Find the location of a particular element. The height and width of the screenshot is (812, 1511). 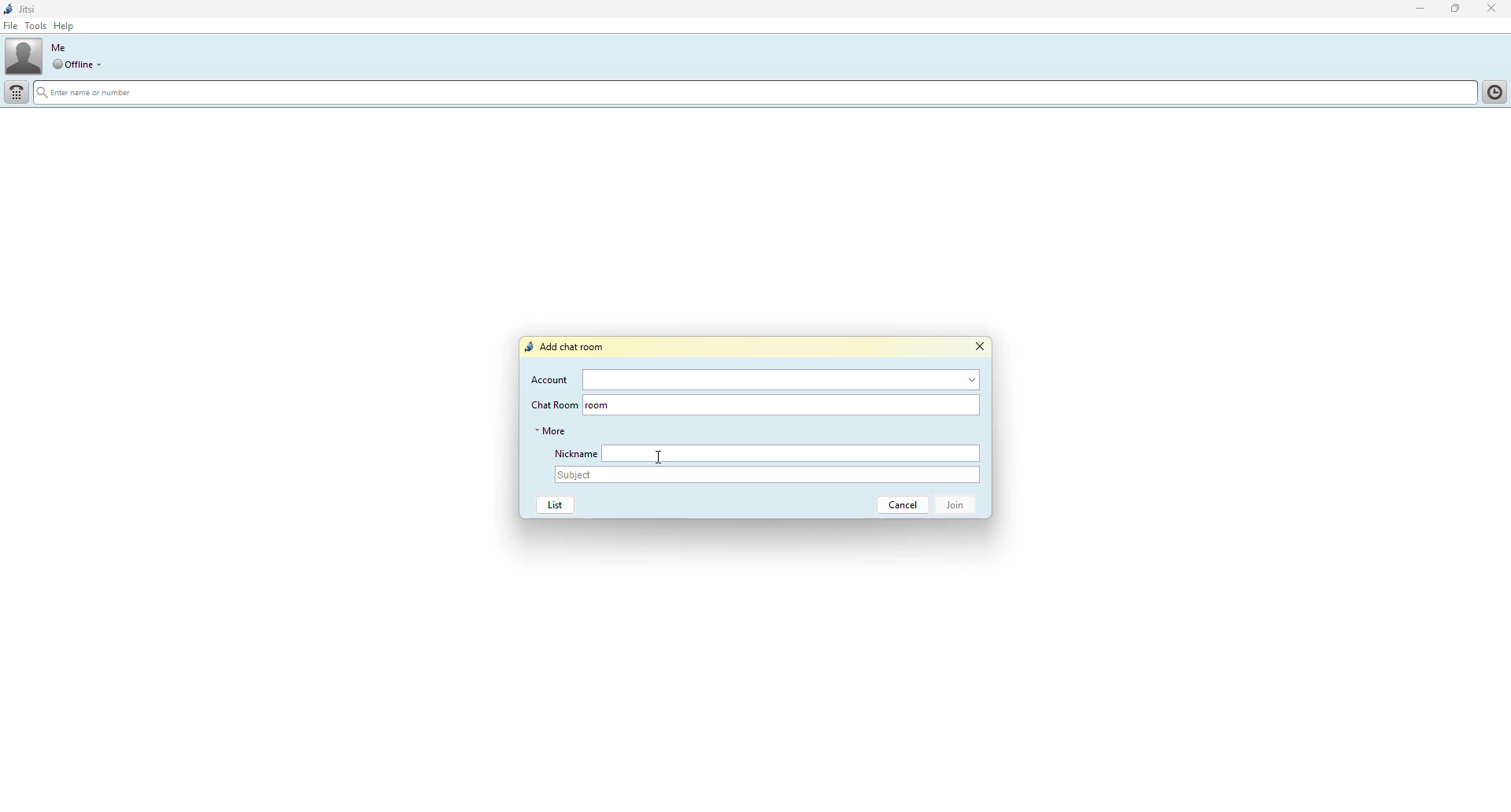

account is located at coordinates (784, 380).